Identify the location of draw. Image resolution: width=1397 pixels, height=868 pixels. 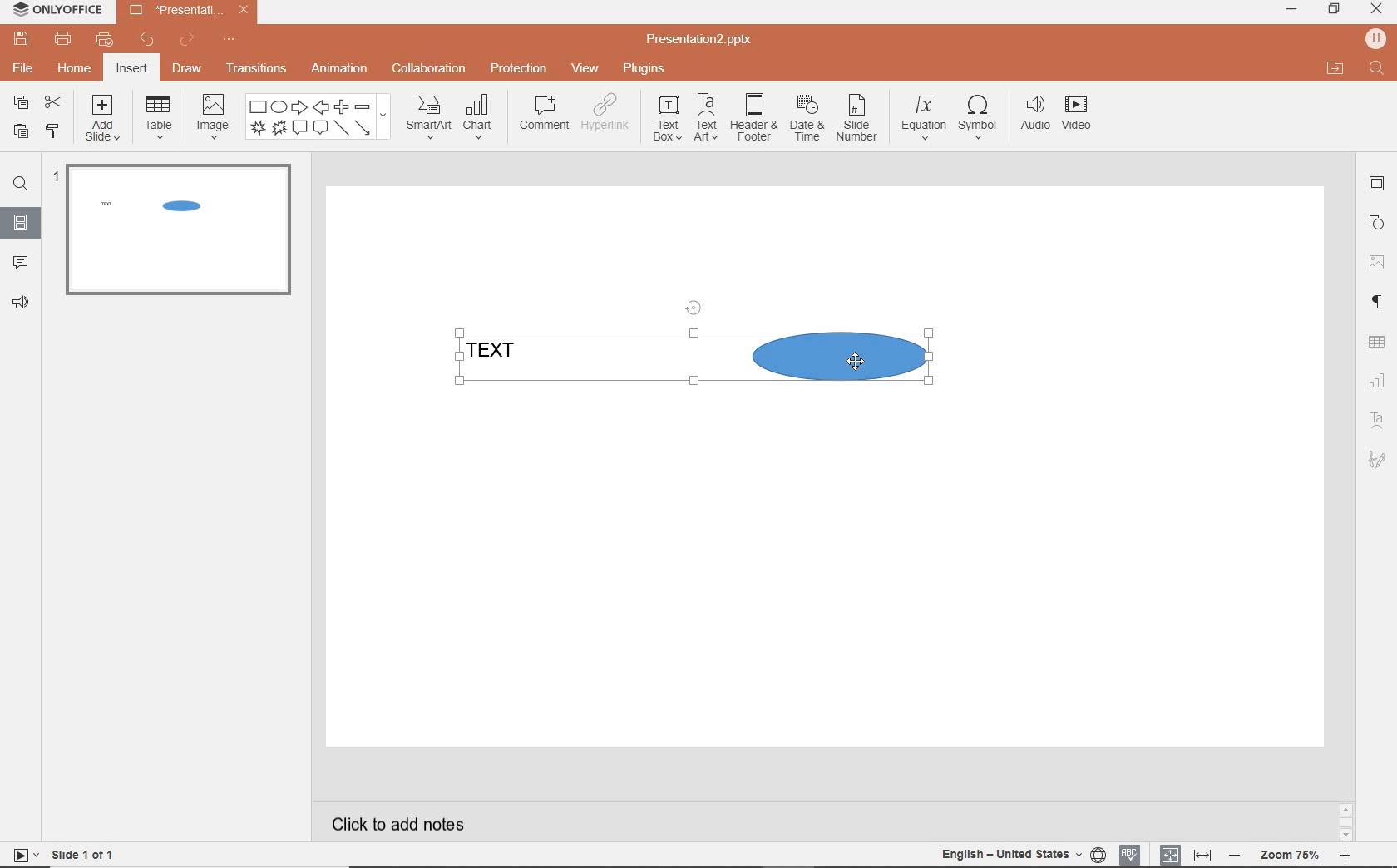
(190, 68).